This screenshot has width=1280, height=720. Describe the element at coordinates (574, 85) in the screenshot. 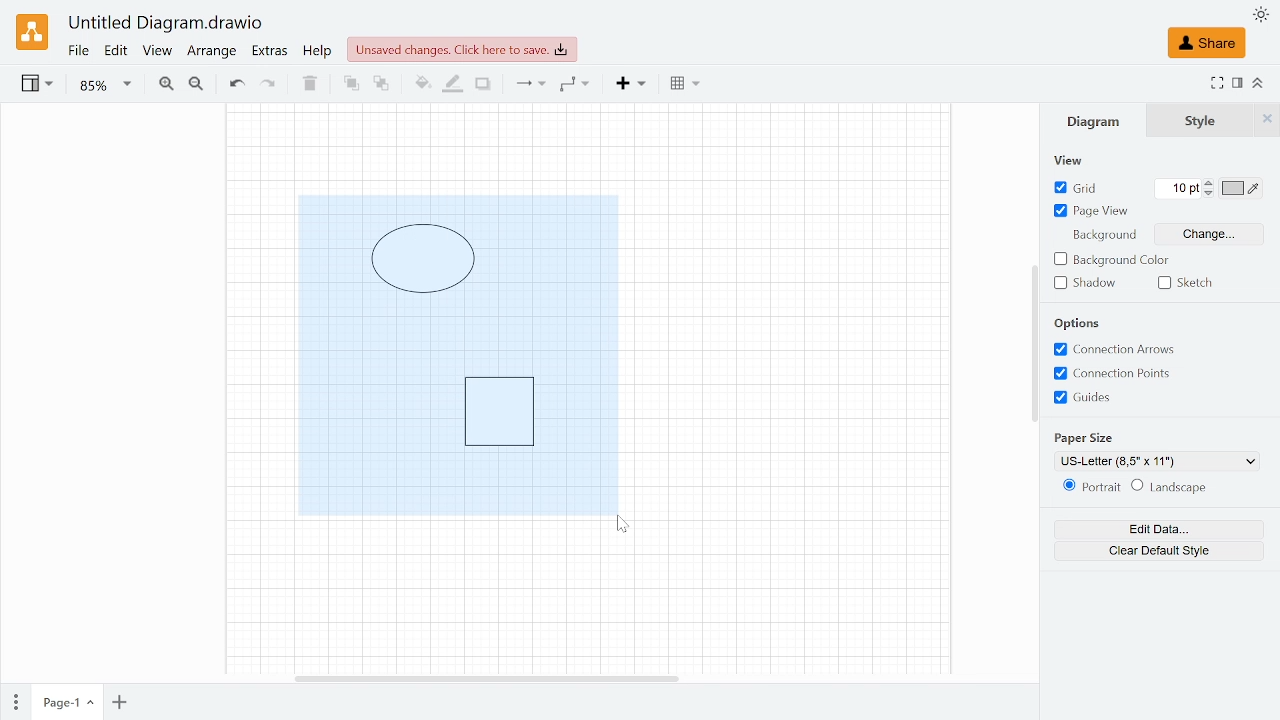

I see `Waypoints` at that location.